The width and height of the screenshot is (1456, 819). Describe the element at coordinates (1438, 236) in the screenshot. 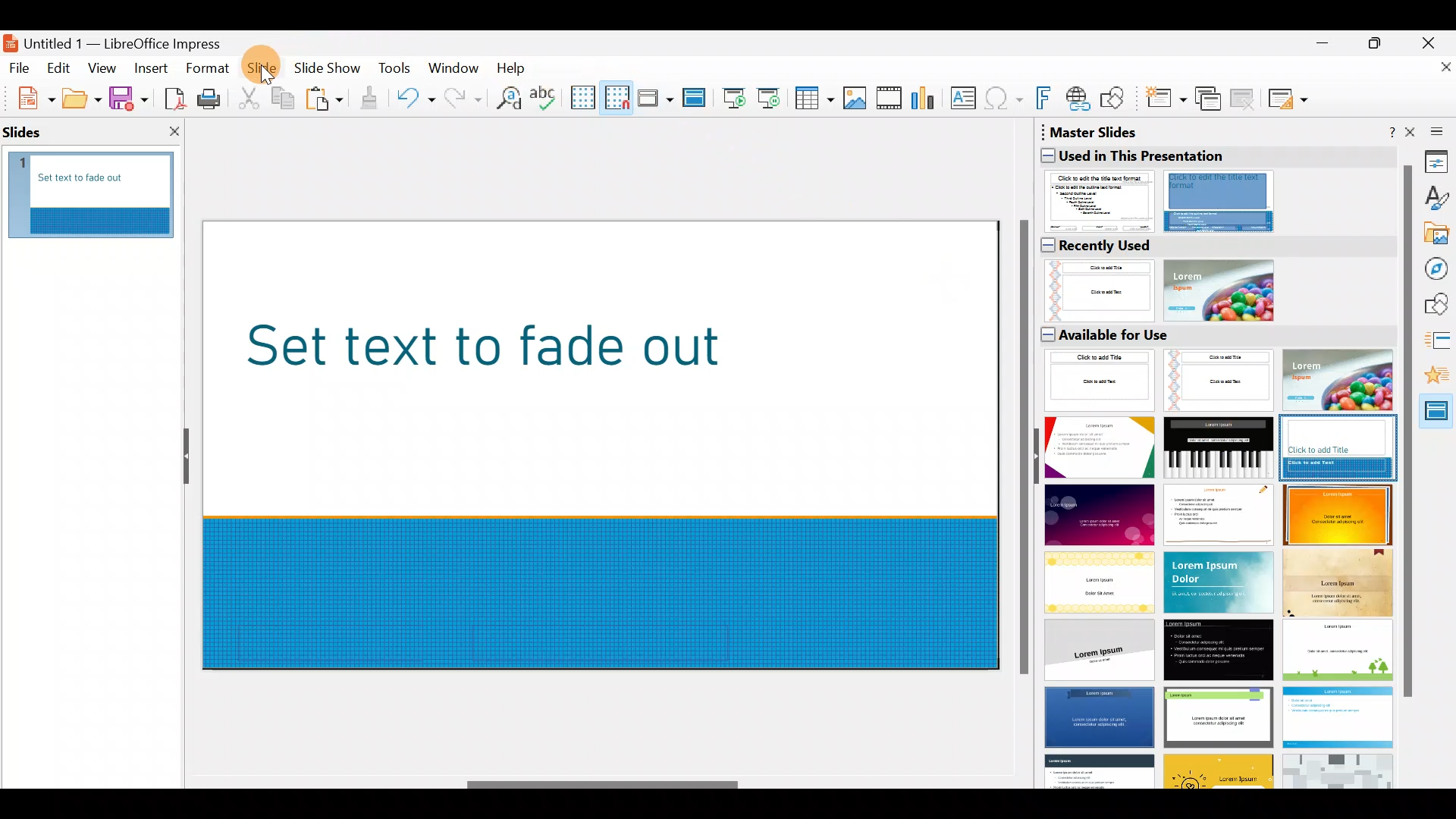

I see `Gallery` at that location.